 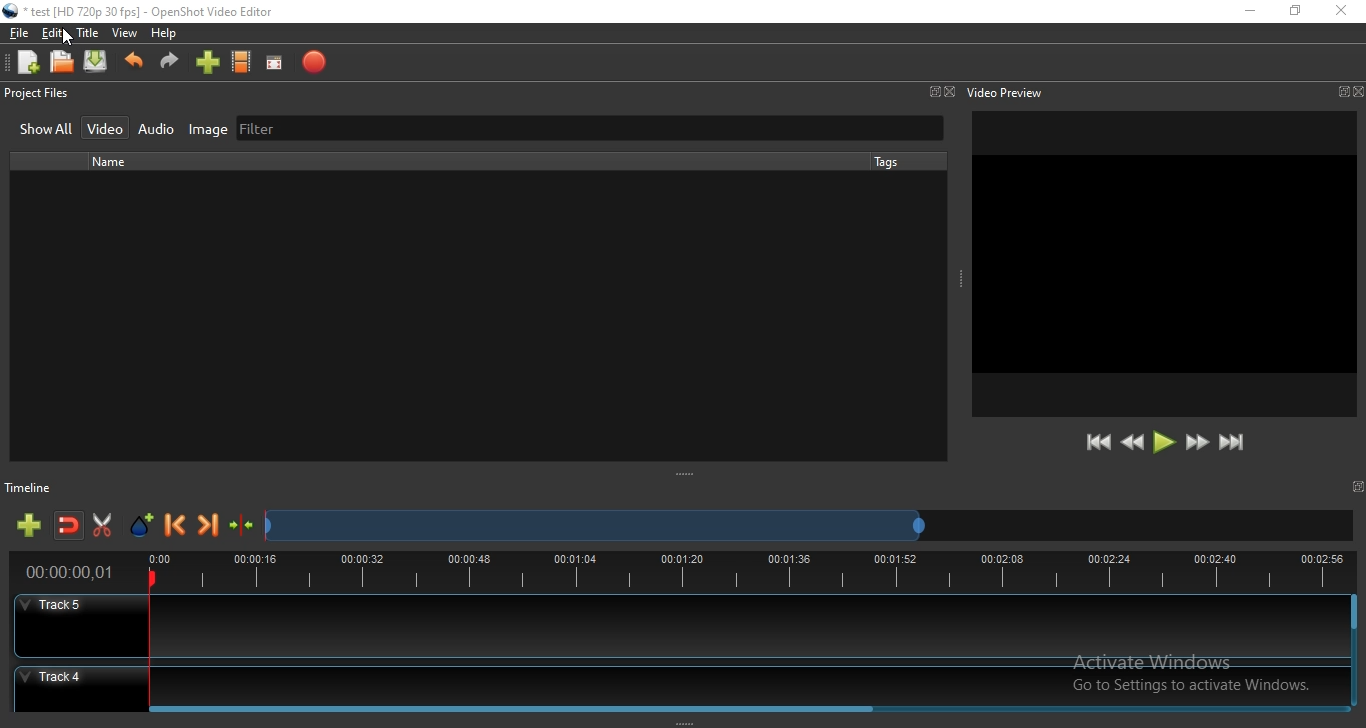 What do you see at coordinates (25, 62) in the screenshot?
I see `New project` at bounding box center [25, 62].